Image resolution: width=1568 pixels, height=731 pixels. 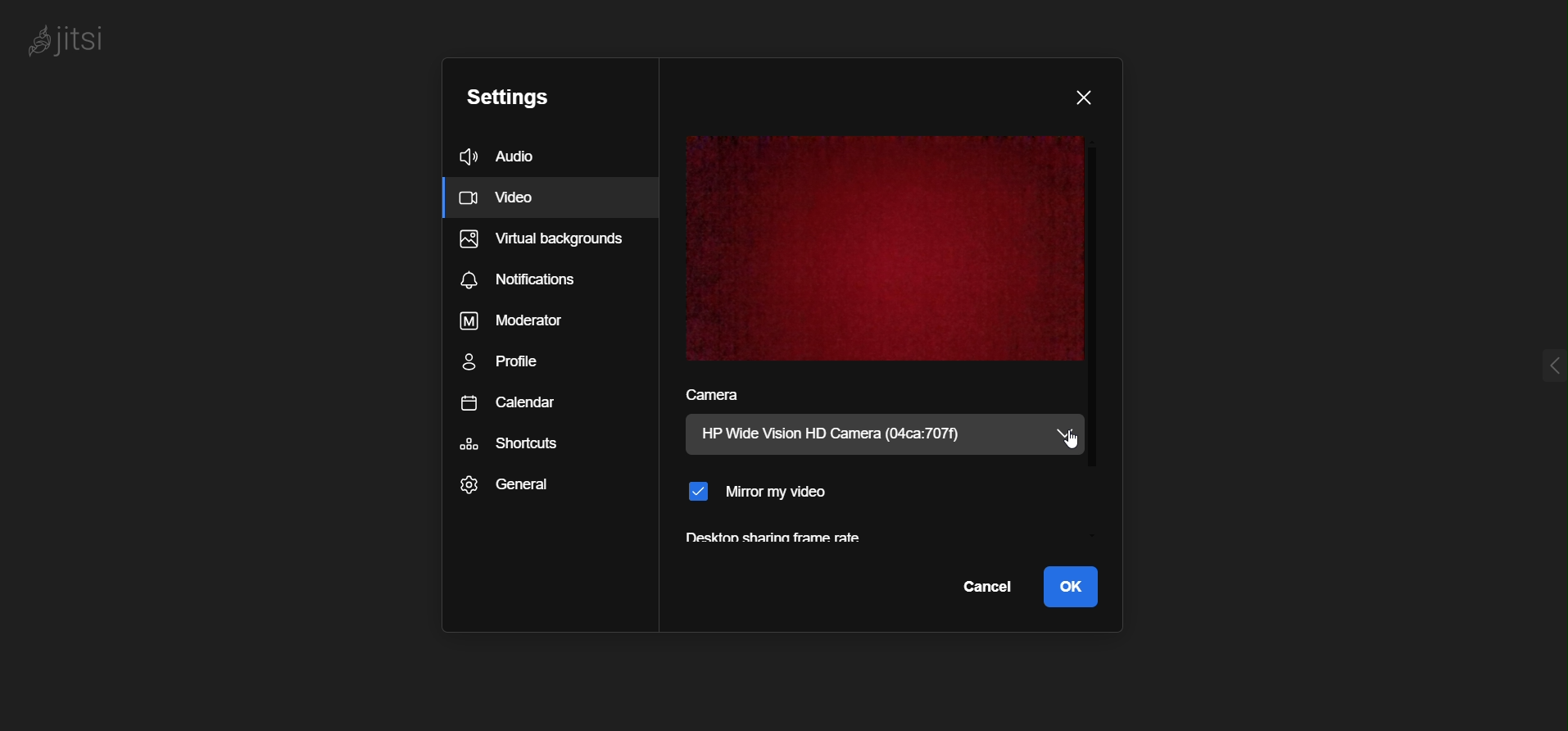 I want to click on shortcuts, so click(x=510, y=444).